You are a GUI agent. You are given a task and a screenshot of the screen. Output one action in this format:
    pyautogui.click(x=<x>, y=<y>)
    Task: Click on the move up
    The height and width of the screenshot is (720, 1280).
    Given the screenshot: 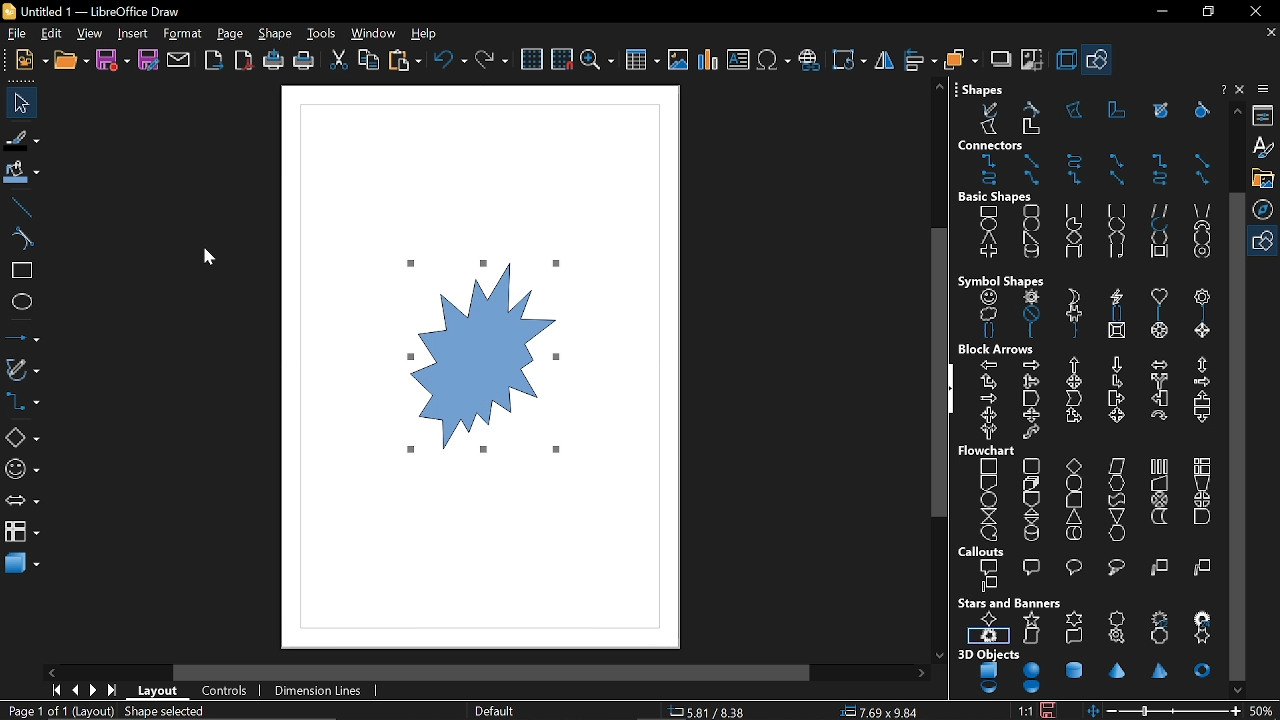 What is the action you would take?
    pyautogui.click(x=1234, y=111)
    